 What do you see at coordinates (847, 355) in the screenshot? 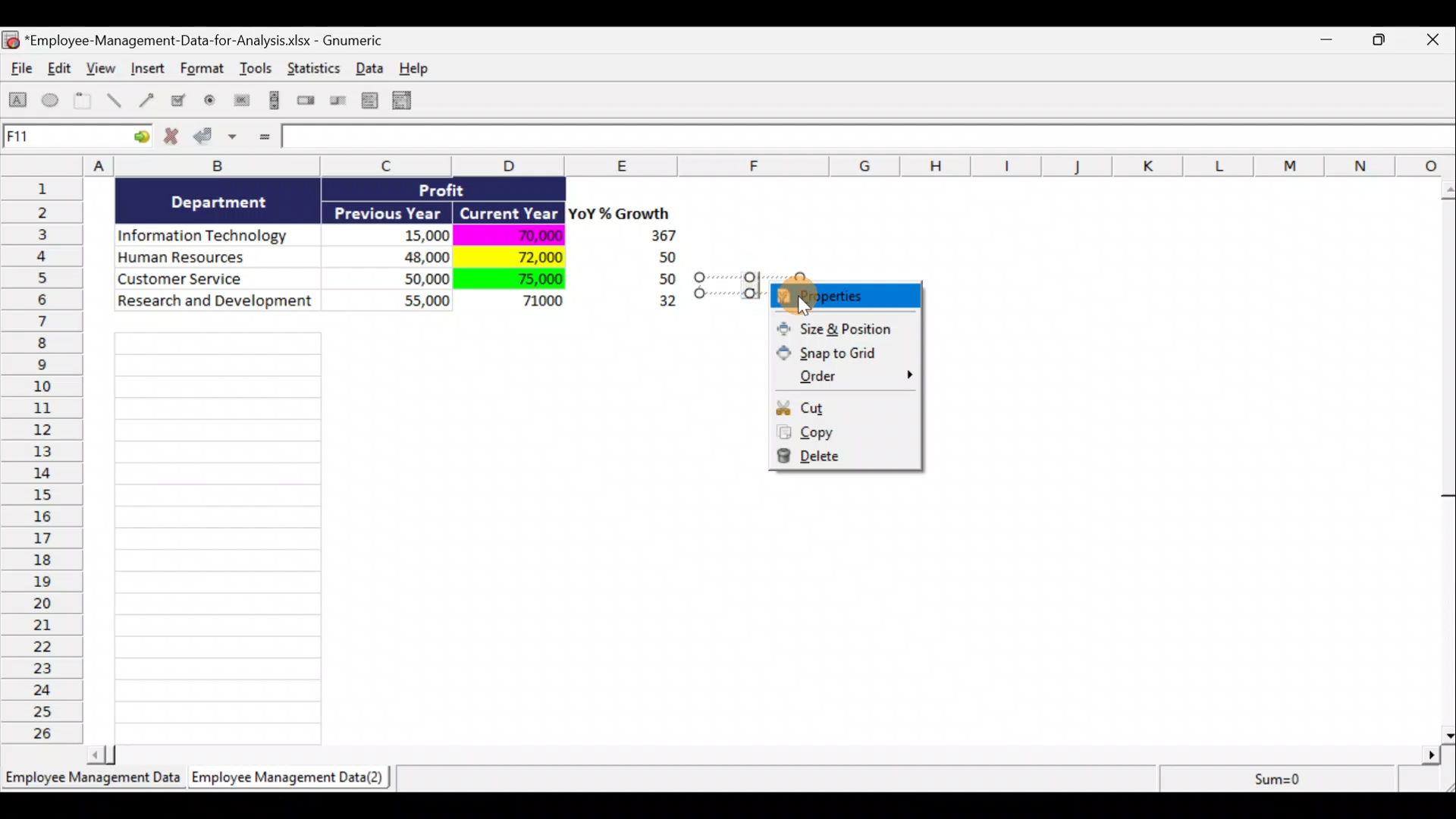
I see `Snap to grid` at bounding box center [847, 355].